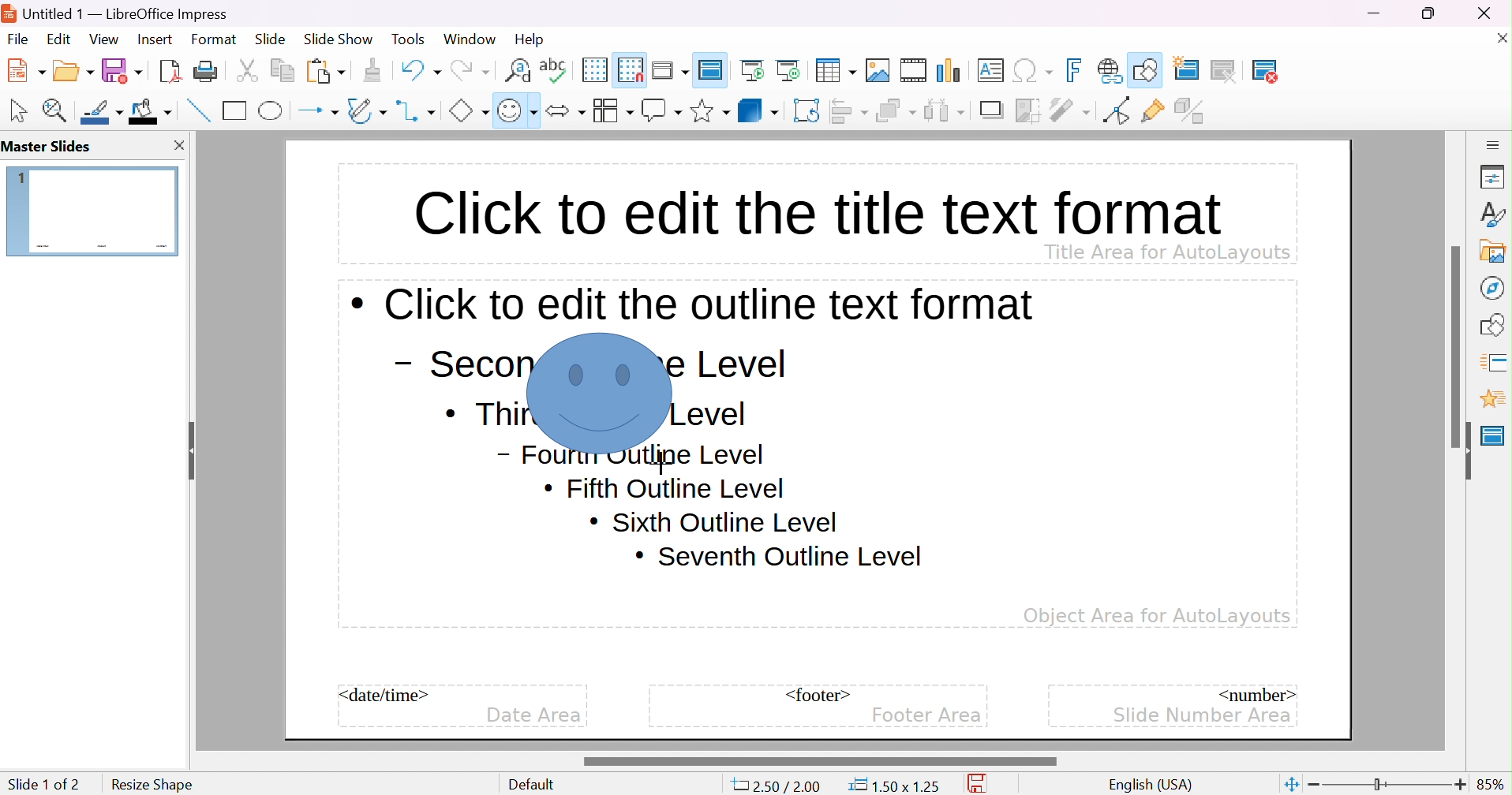  What do you see at coordinates (283, 68) in the screenshot?
I see `copy` at bounding box center [283, 68].